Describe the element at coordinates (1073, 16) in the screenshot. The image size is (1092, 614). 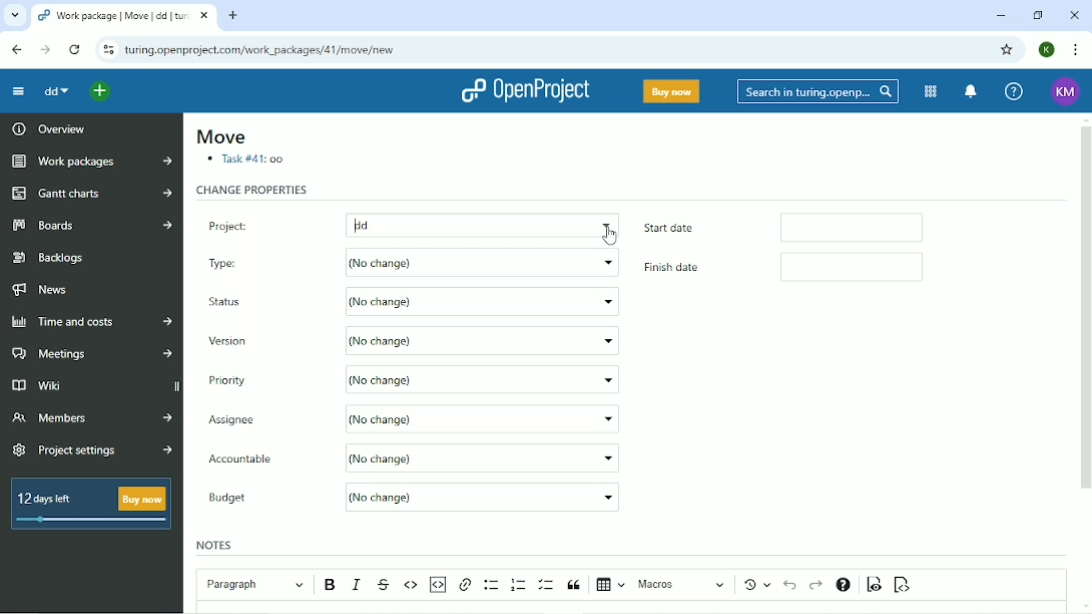
I see `Close` at that location.